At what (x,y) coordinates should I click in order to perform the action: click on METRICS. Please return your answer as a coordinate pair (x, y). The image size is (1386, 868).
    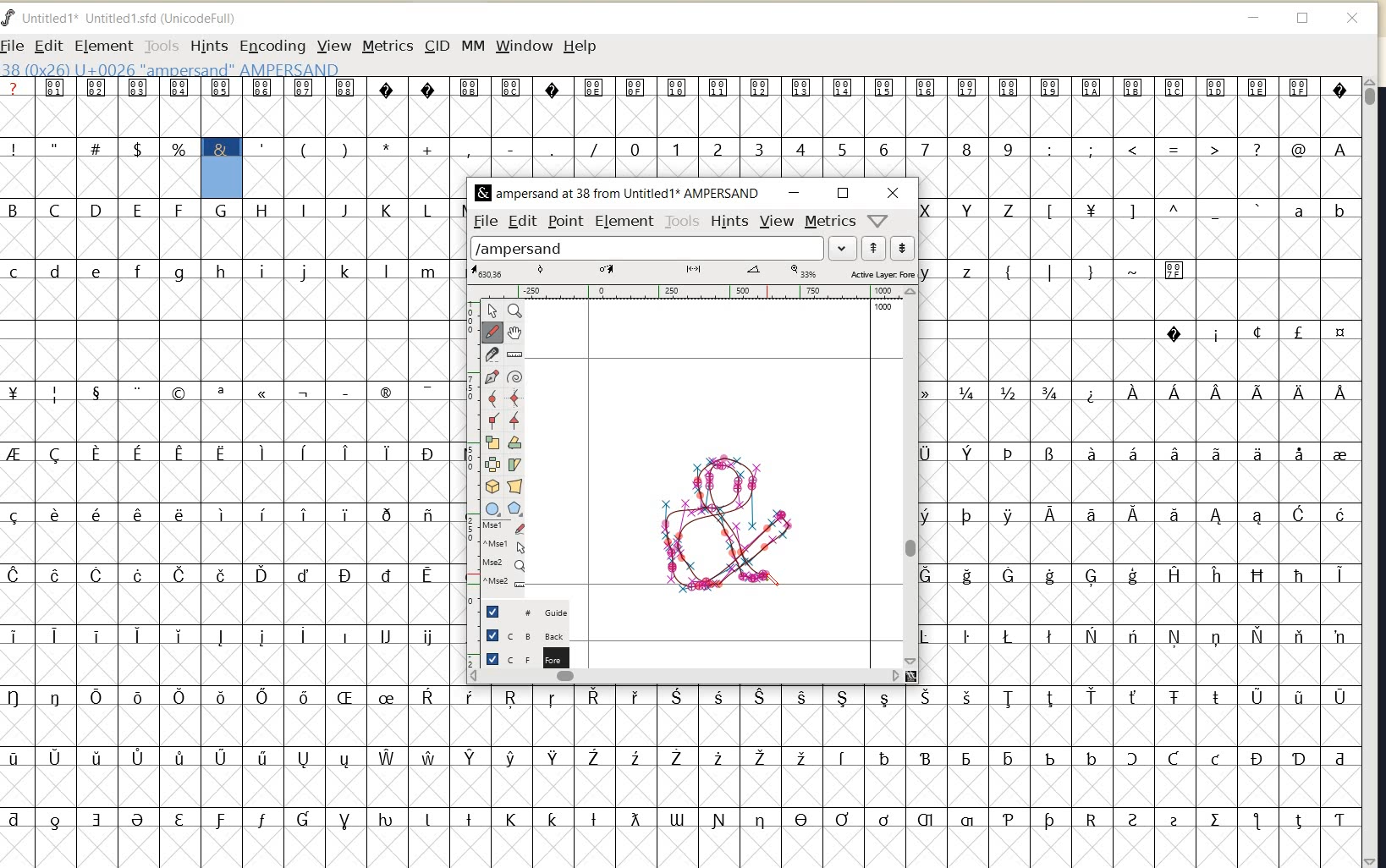
    Looking at the image, I should click on (386, 47).